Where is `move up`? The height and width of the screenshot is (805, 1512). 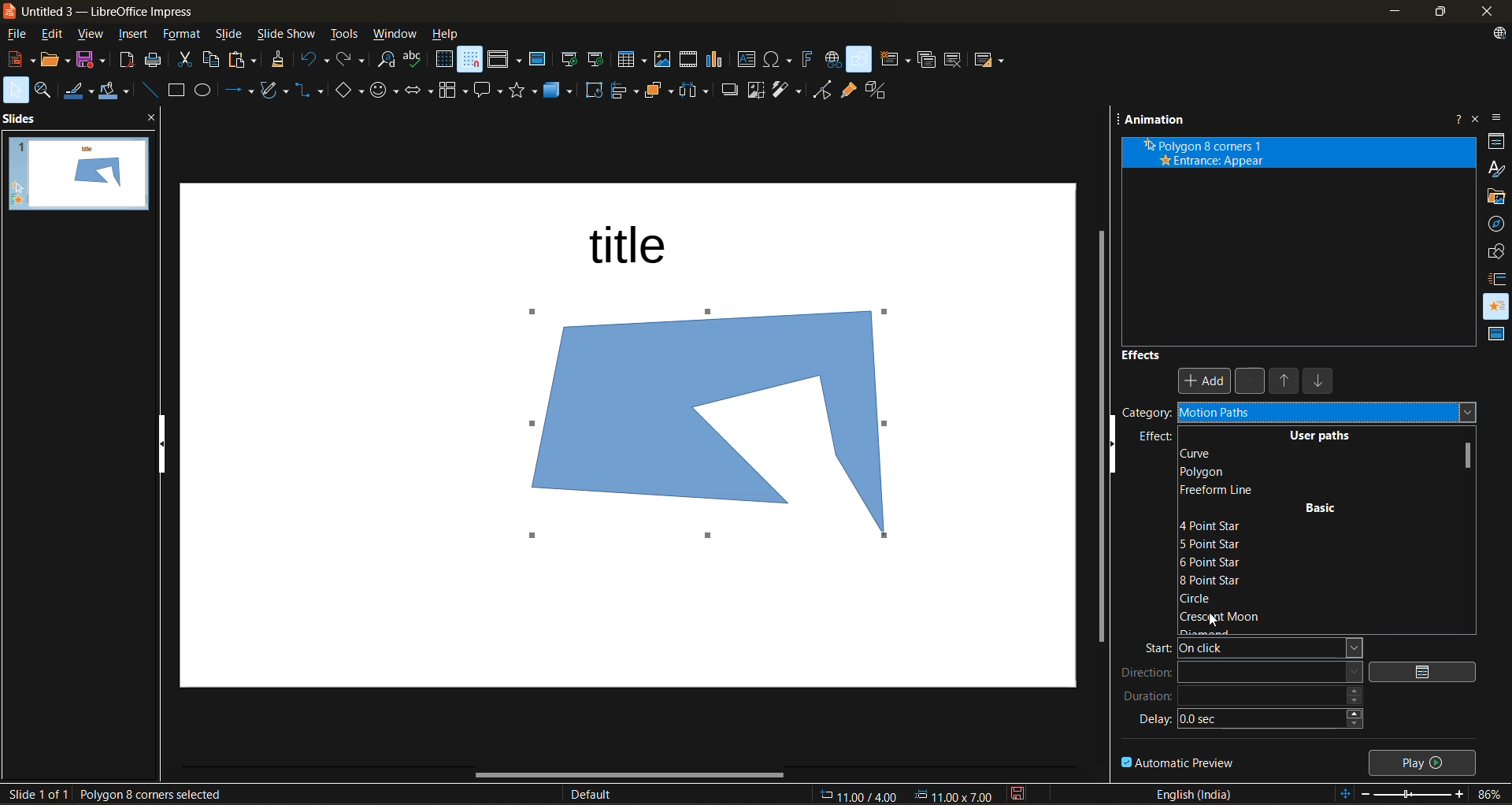 move up is located at coordinates (1288, 383).